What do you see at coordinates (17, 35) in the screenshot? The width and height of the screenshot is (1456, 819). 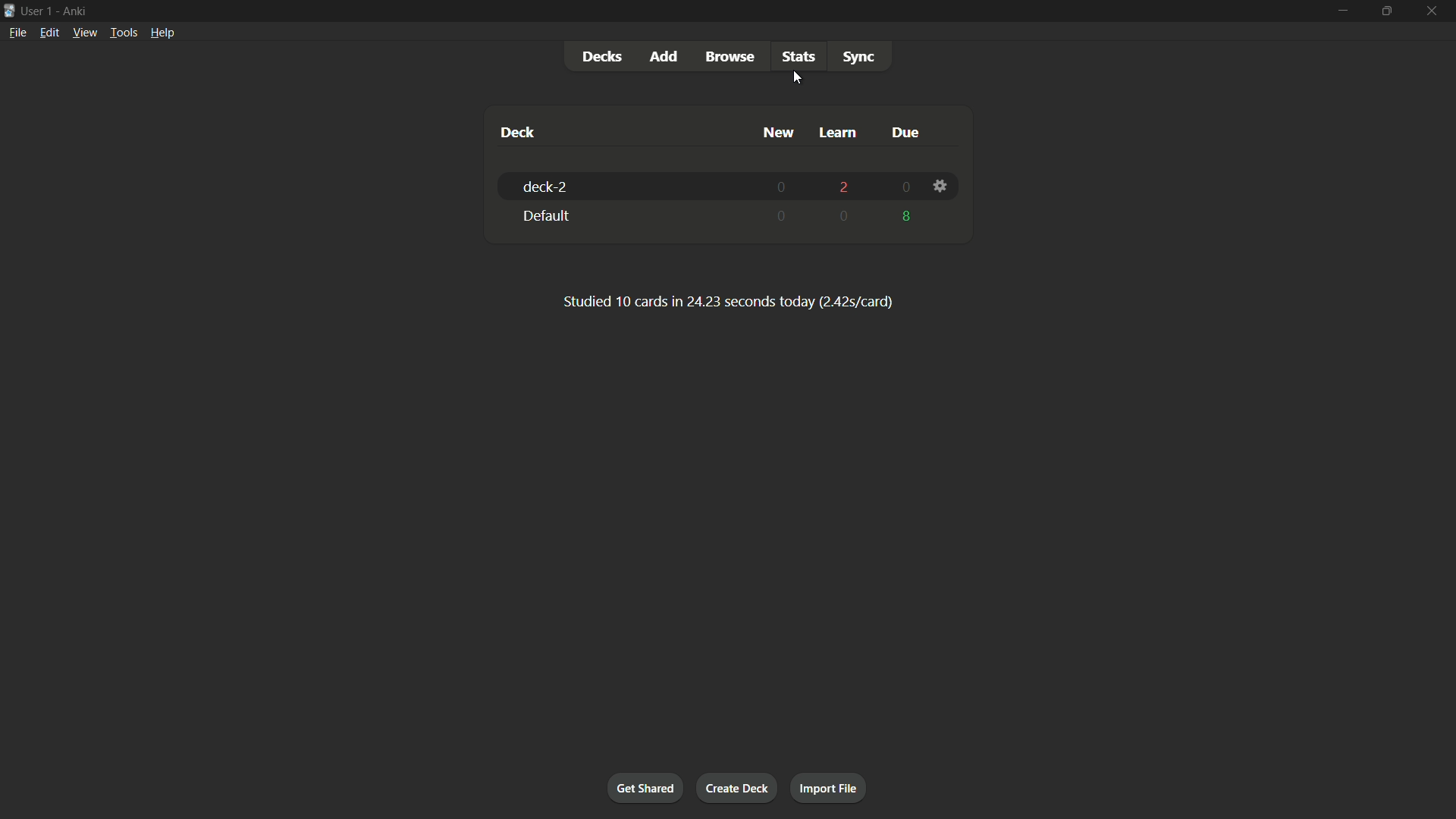 I see `file` at bounding box center [17, 35].